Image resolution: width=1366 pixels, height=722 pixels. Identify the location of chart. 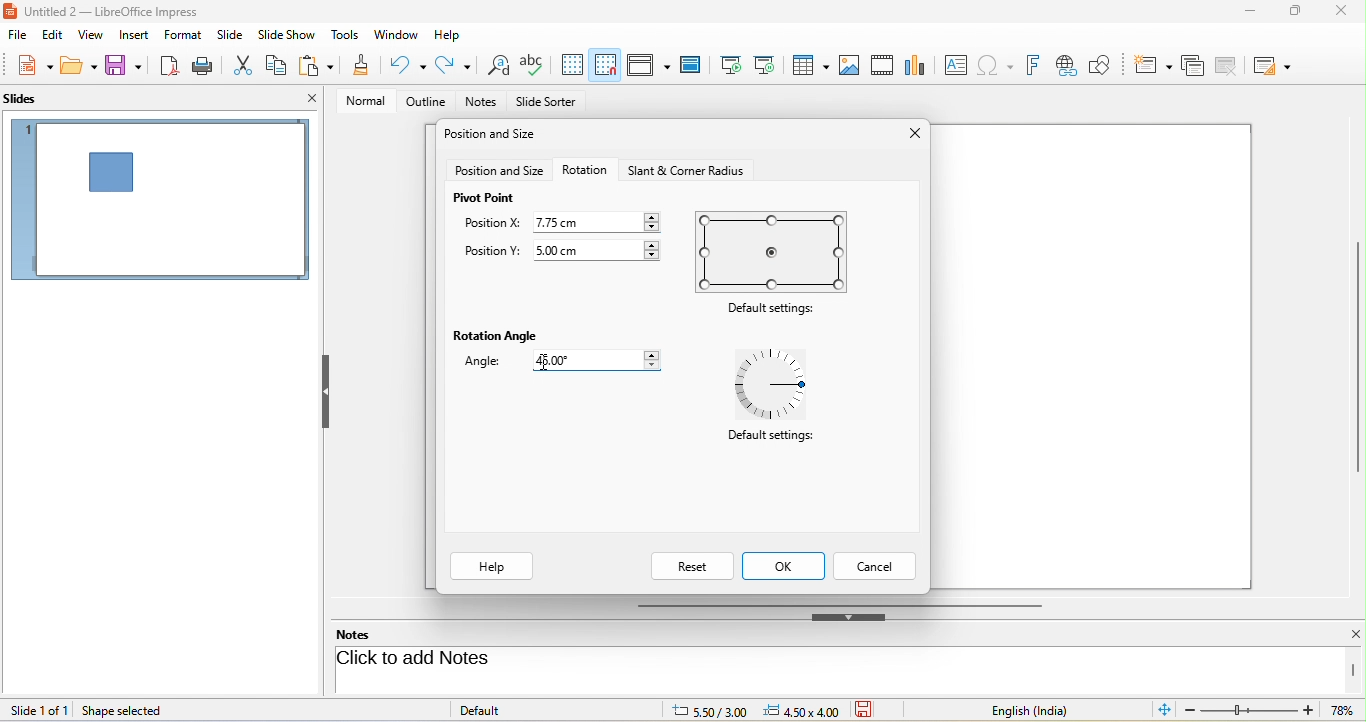
(917, 64).